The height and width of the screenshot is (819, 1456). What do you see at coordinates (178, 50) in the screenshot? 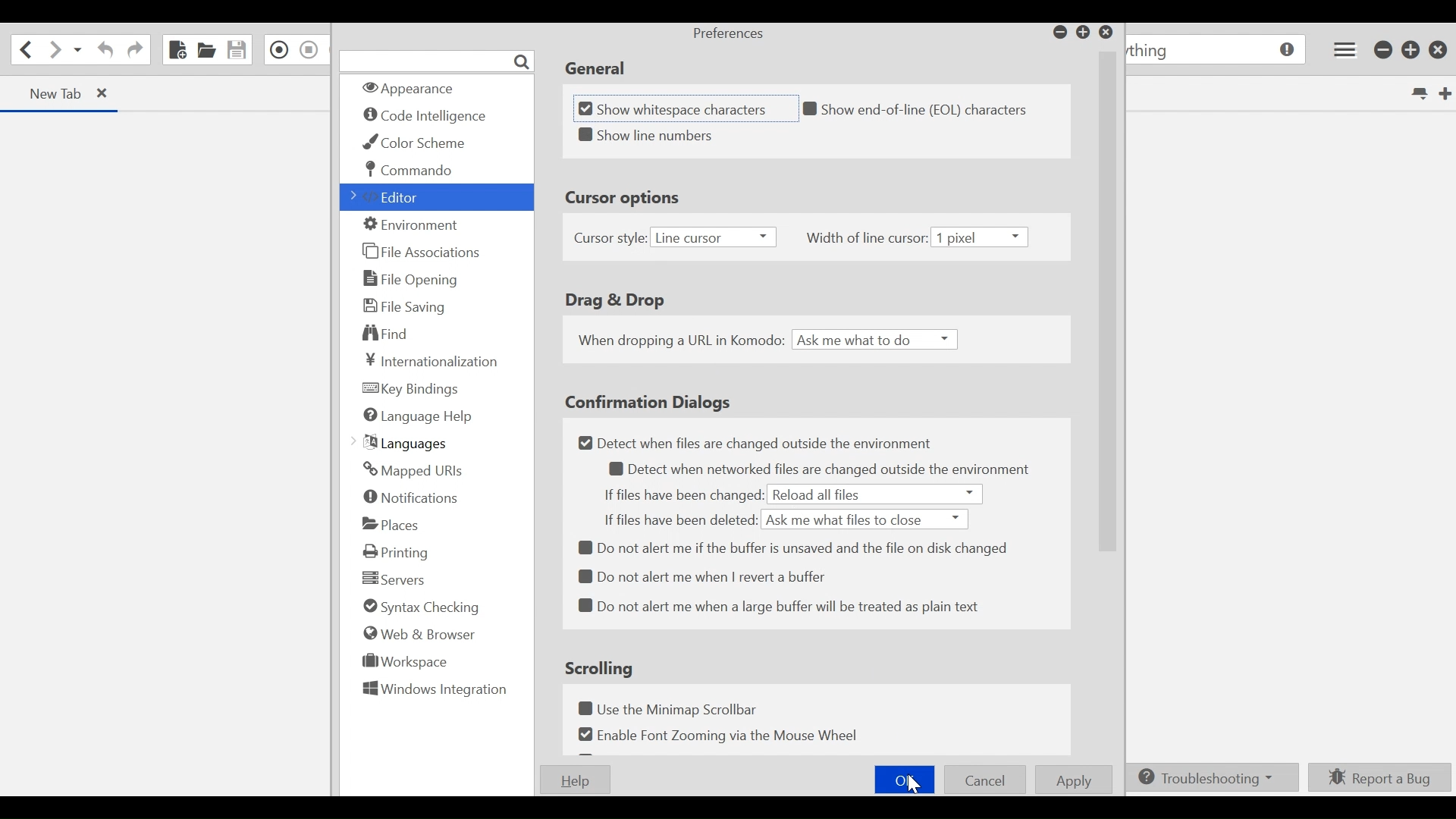
I see `New File` at bounding box center [178, 50].